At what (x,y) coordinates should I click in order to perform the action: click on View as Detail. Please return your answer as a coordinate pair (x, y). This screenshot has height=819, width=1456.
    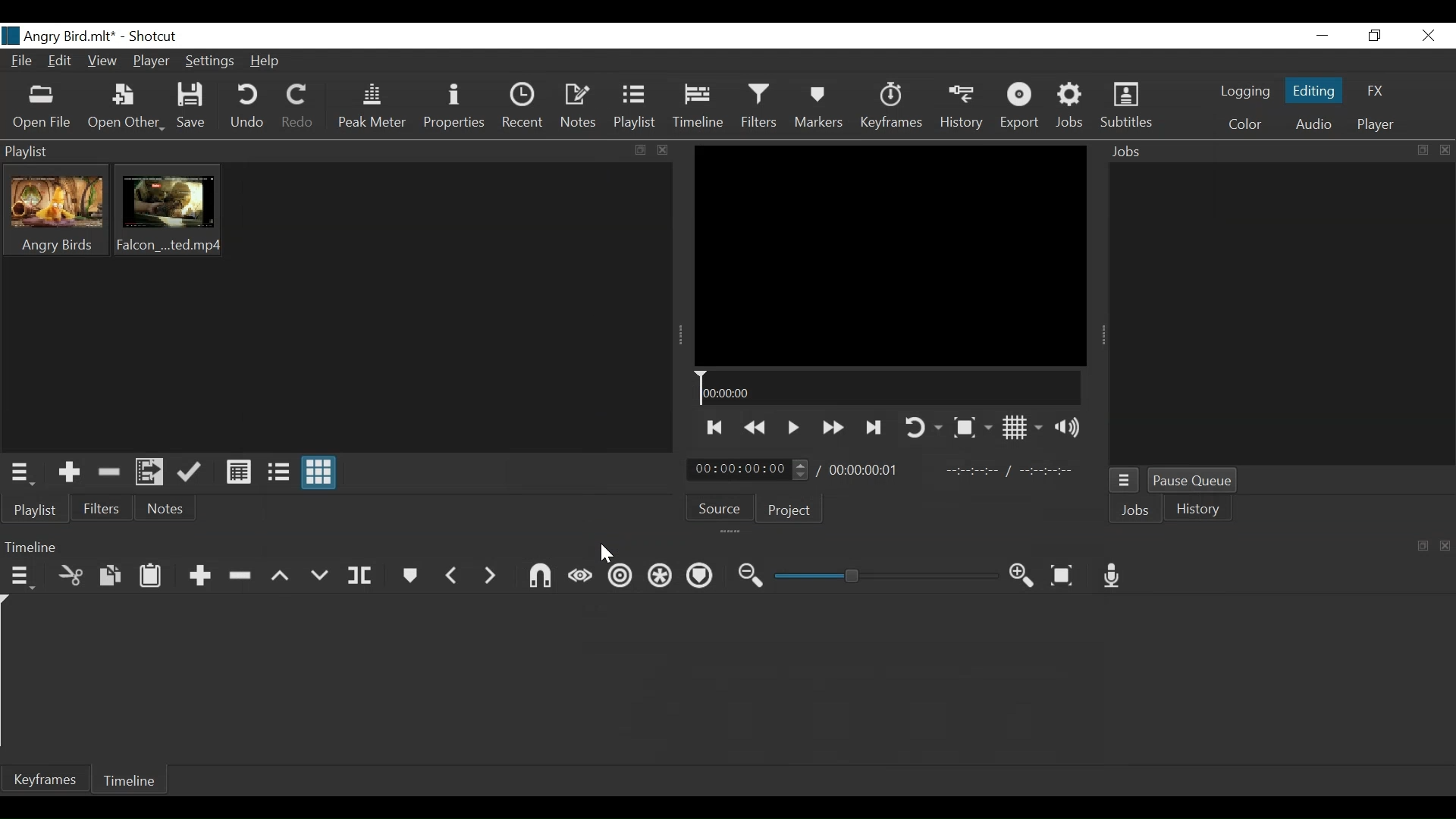
    Looking at the image, I should click on (236, 472).